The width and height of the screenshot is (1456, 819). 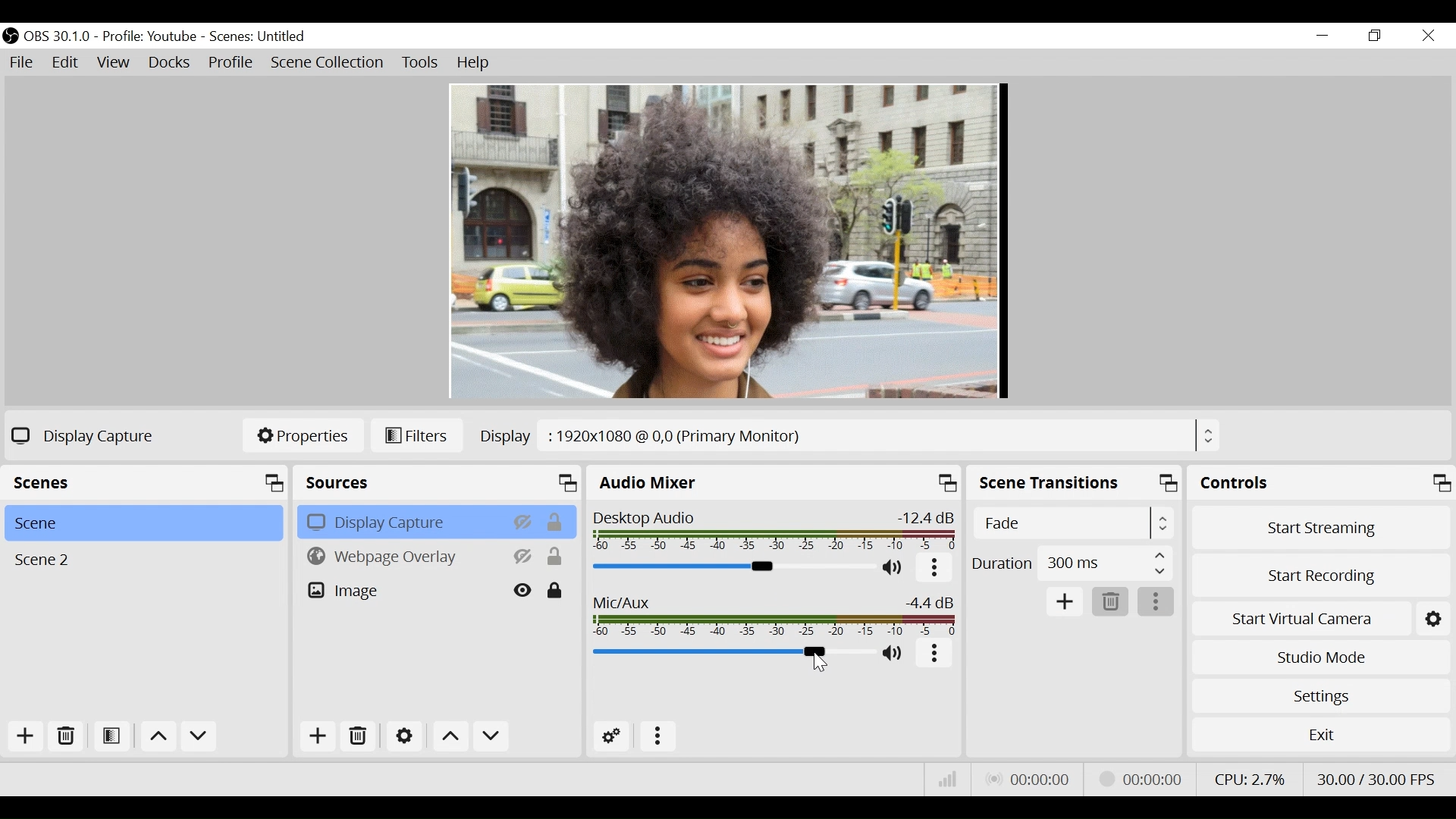 I want to click on Source, so click(x=436, y=483).